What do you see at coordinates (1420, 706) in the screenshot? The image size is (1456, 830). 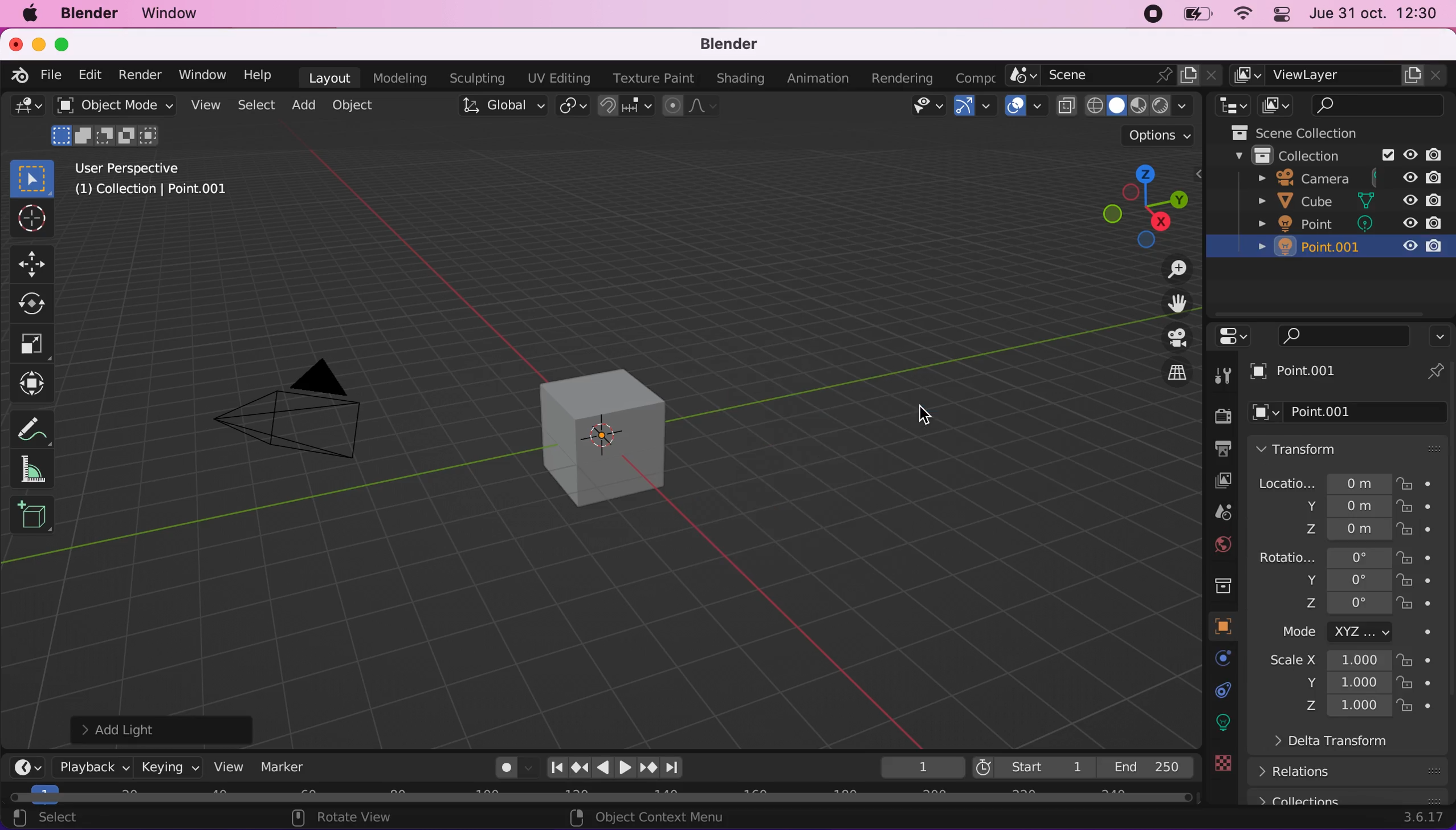 I see `lock` at bounding box center [1420, 706].